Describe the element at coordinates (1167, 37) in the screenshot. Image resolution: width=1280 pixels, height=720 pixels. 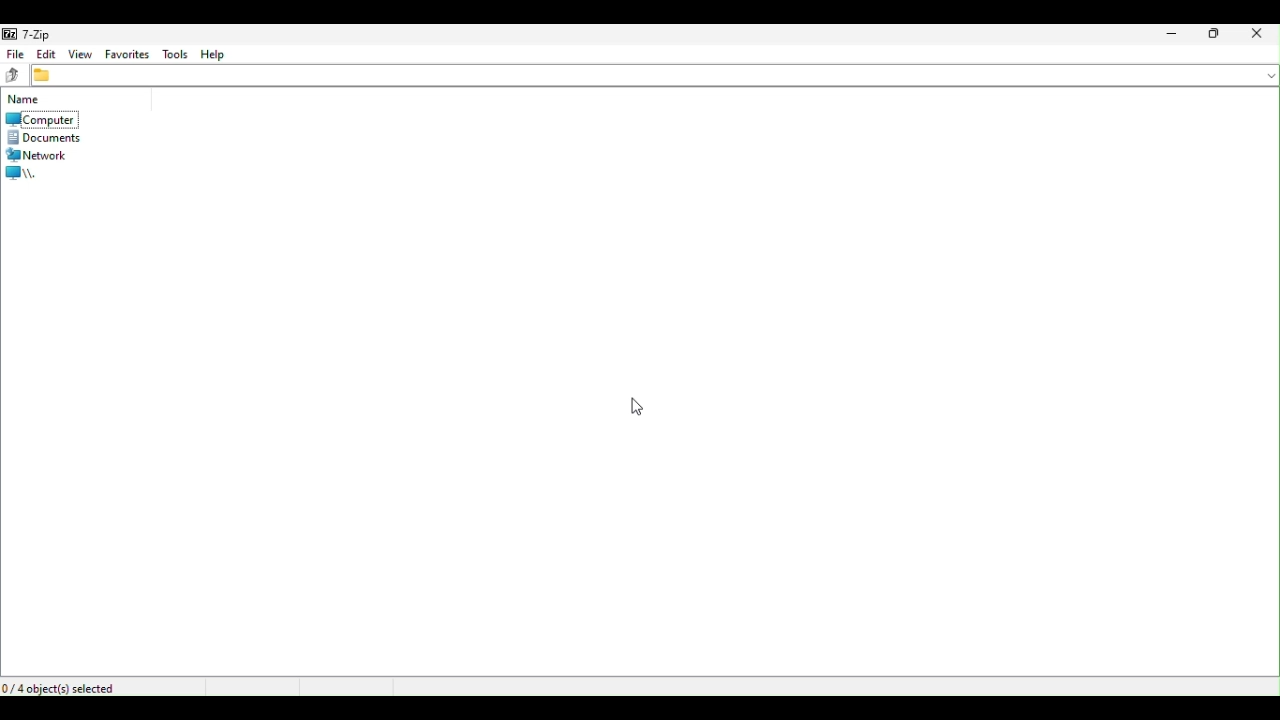
I see `Minimise` at that location.